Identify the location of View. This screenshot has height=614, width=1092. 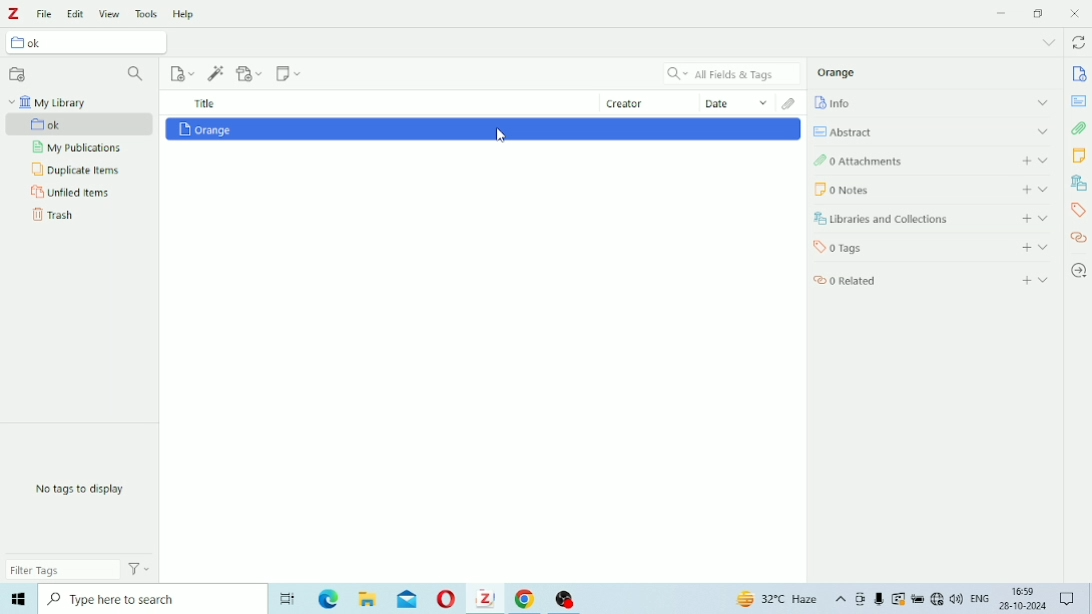
(110, 14).